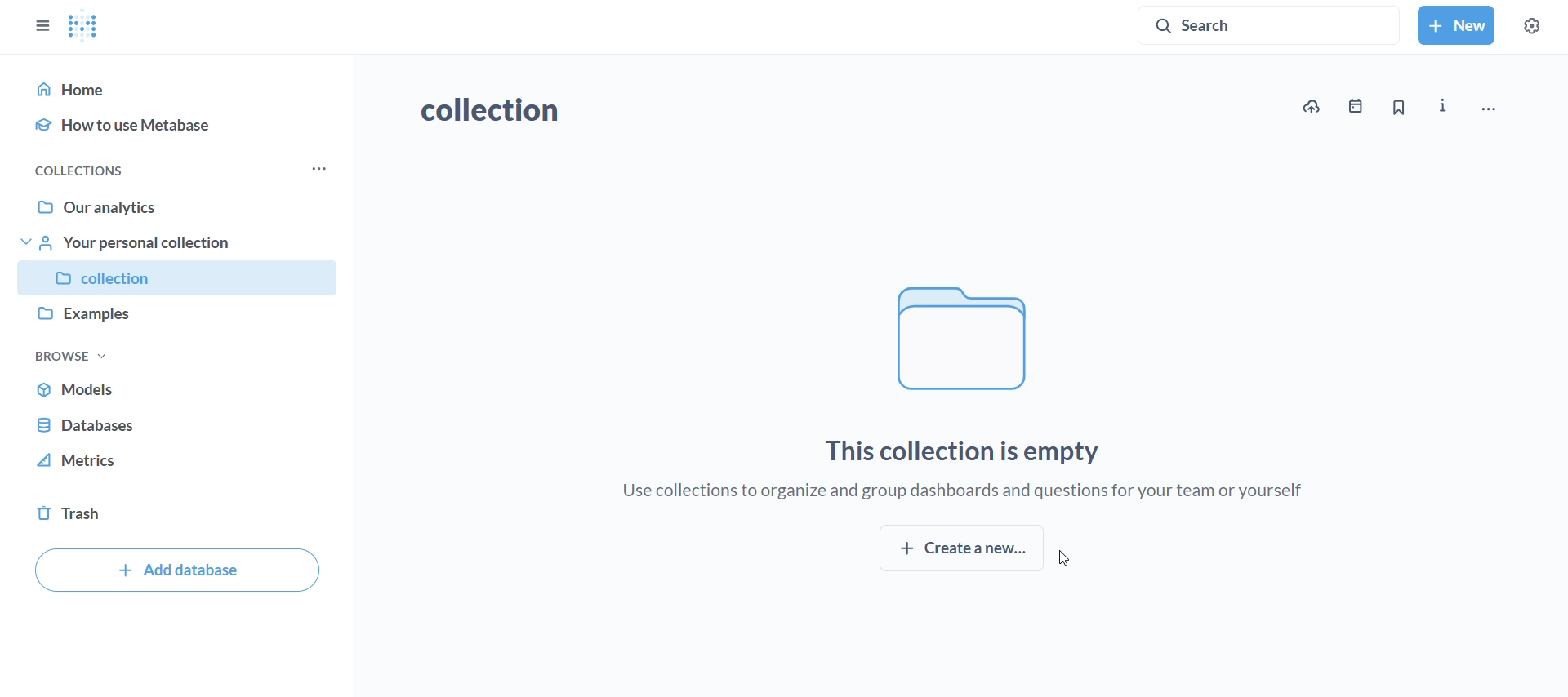 This screenshot has height=697, width=1568. What do you see at coordinates (176, 572) in the screenshot?
I see `add database` at bounding box center [176, 572].